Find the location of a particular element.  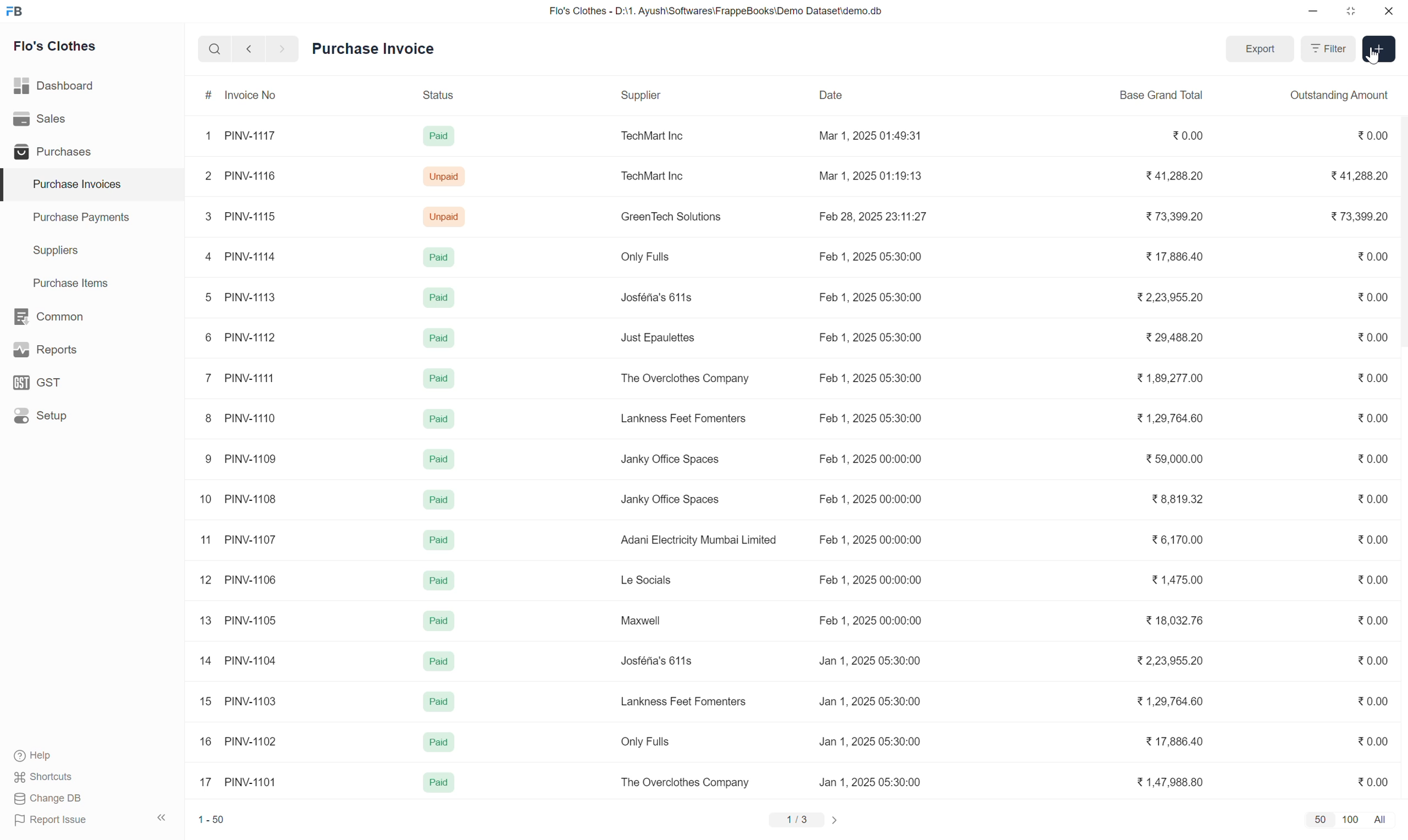

Change dimension is located at coordinates (1351, 11).